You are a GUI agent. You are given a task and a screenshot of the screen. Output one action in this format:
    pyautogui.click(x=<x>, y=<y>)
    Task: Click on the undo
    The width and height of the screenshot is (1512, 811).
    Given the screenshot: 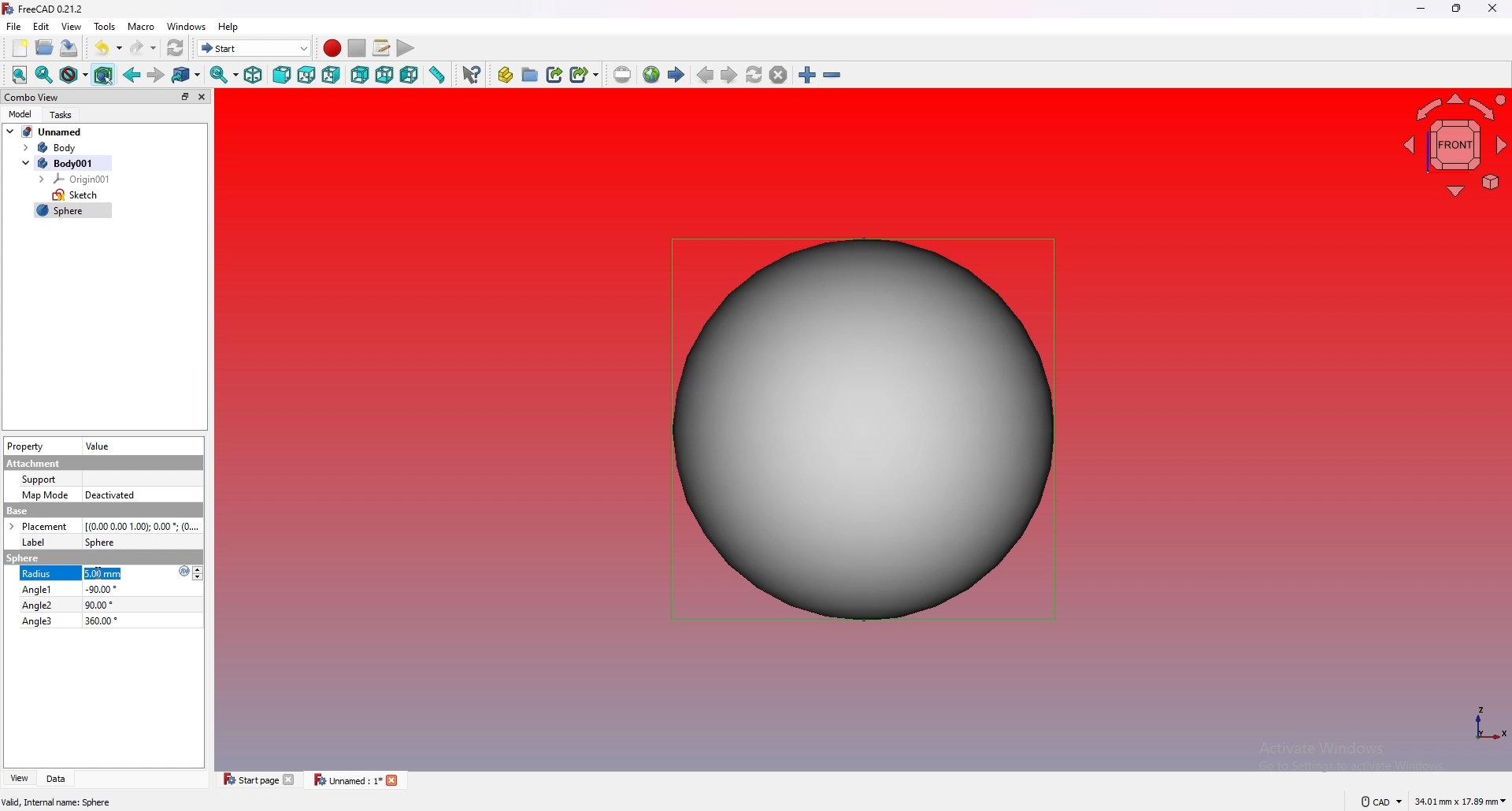 What is the action you would take?
    pyautogui.click(x=108, y=48)
    